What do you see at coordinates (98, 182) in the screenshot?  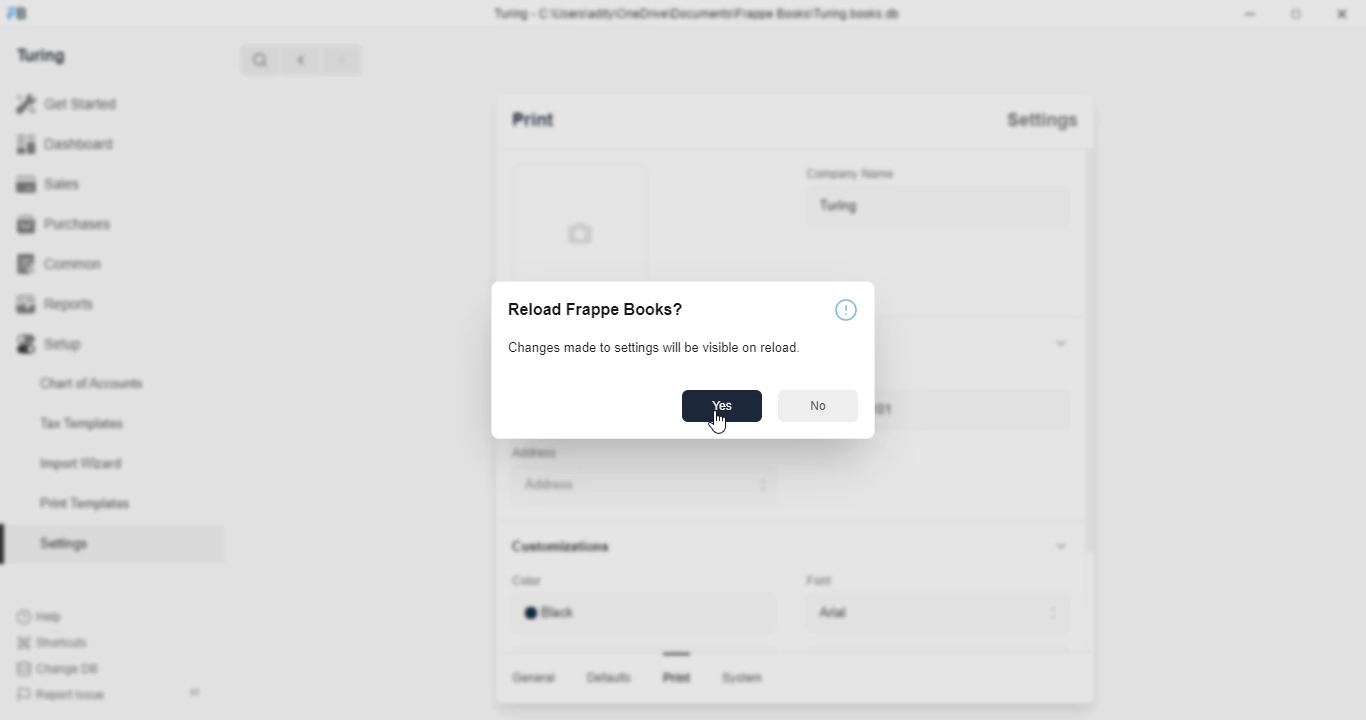 I see `Sales` at bounding box center [98, 182].